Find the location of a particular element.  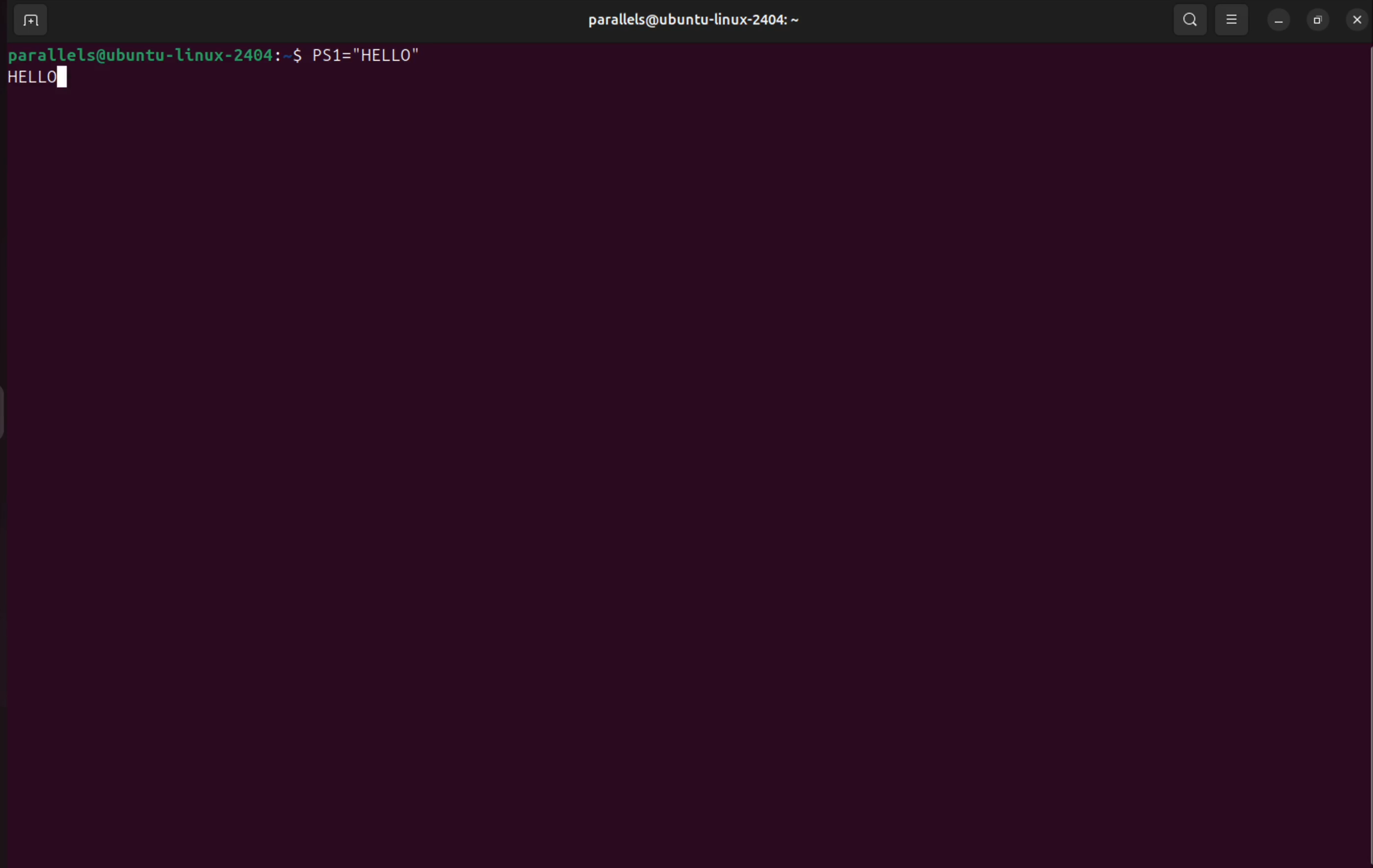

close is located at coordinates (1356, 20).